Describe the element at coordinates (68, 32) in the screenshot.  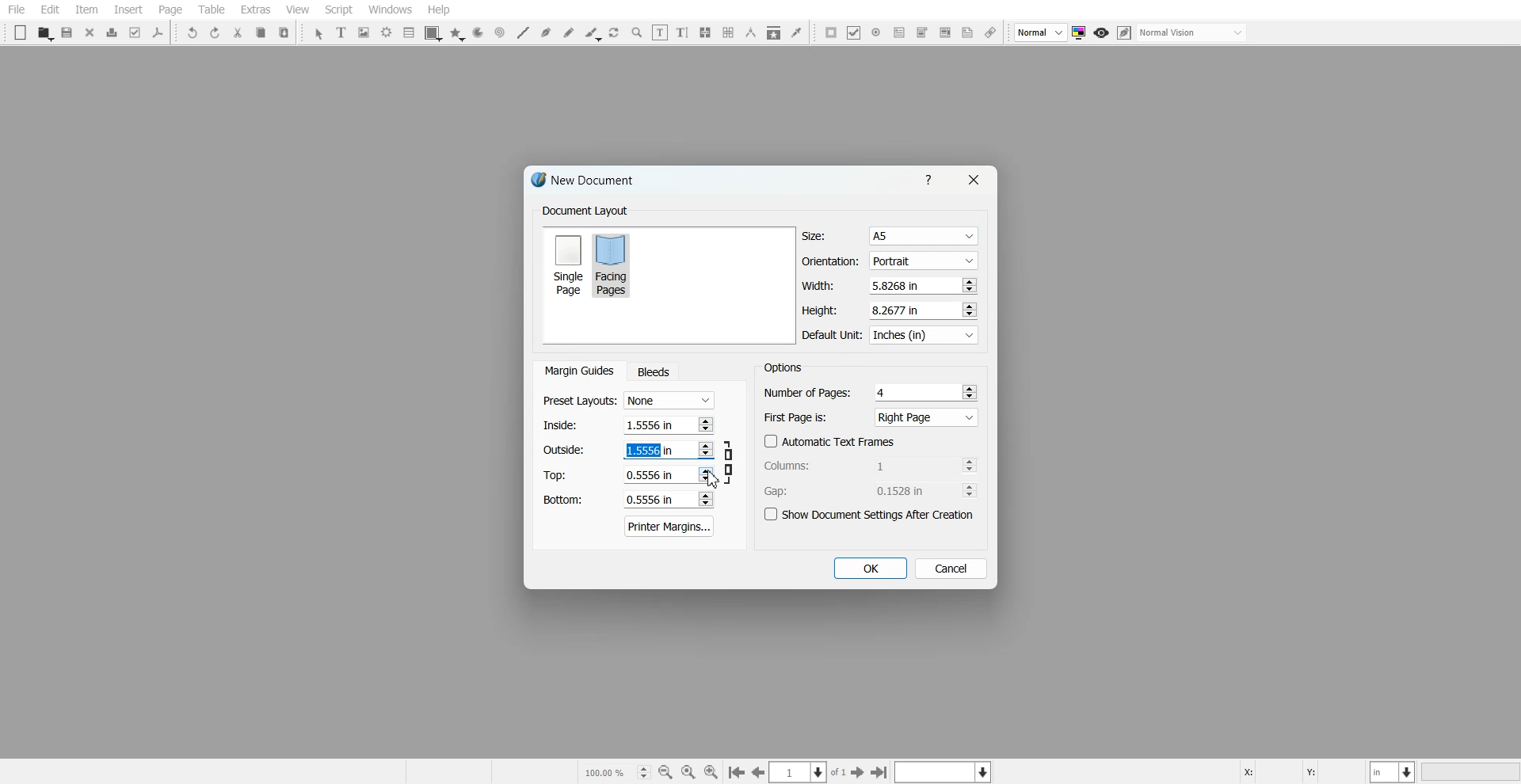
I see `Save` at that location.